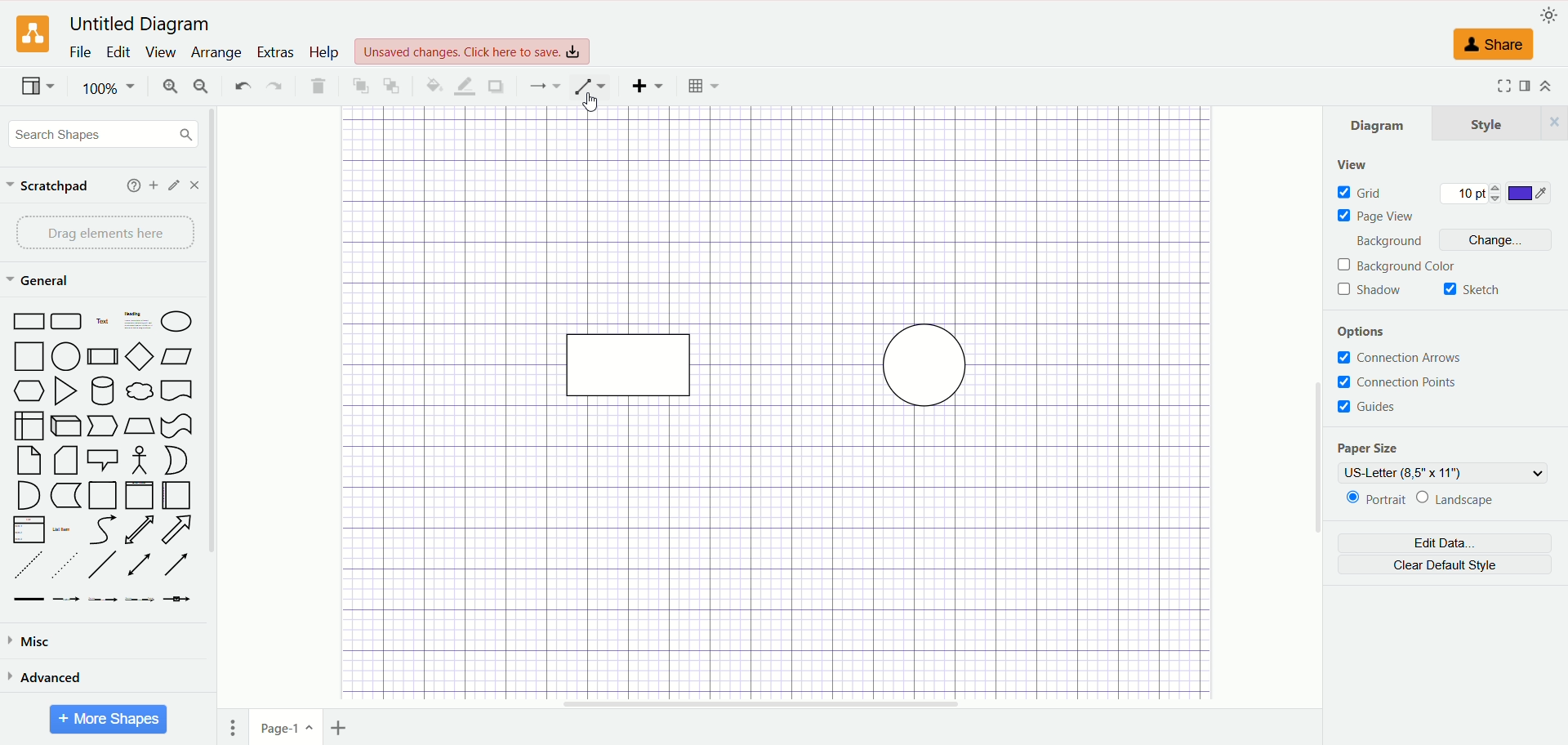 The height and width of the screenshot is (745, 1568). What do you see at coordinates (109, 87) in the screenshot?
I see `100%` at bounding box center [109, 87].